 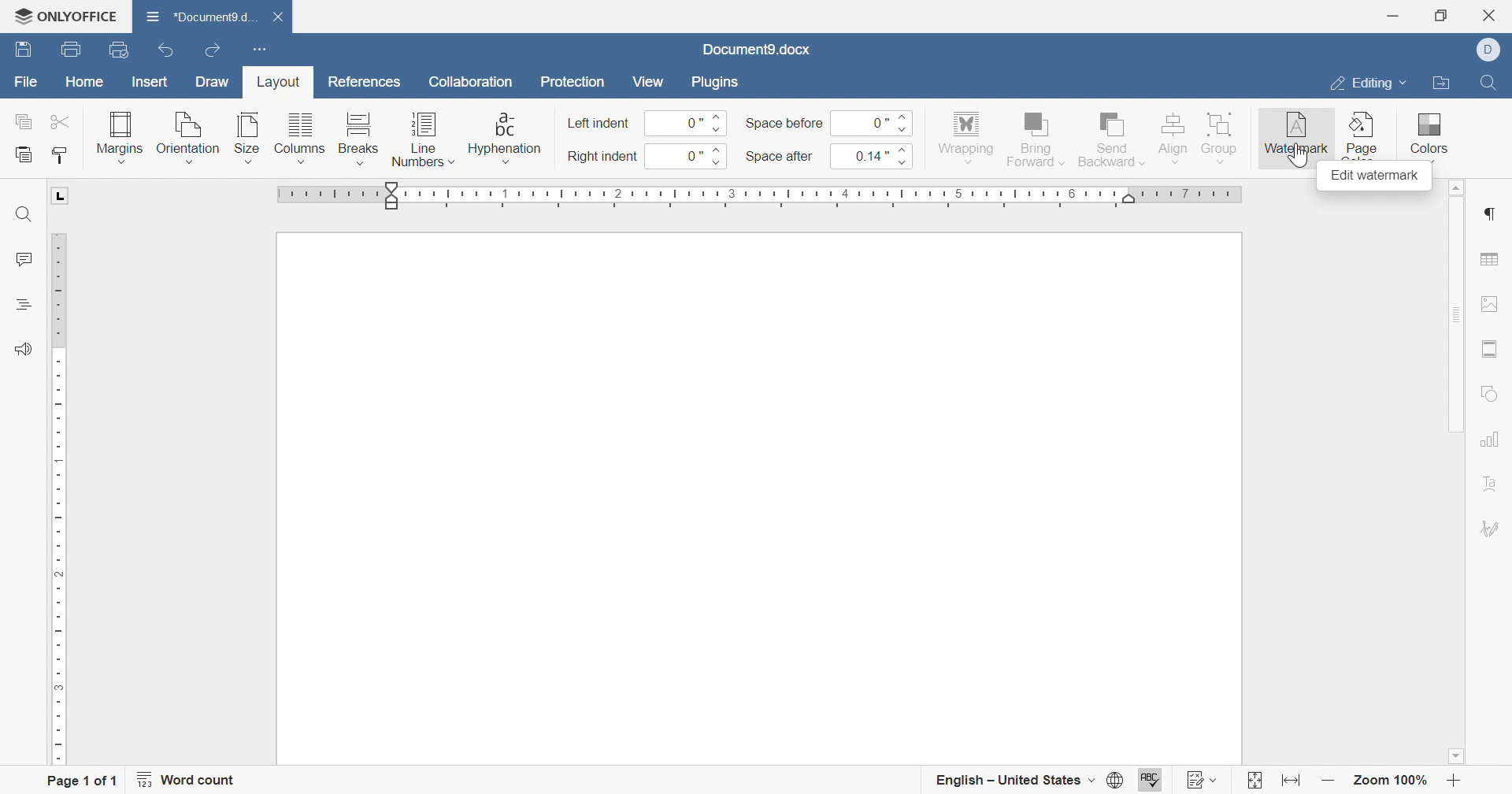 What do you see at coordinates (1121, 780) in the screenshot?
I see `set document language` at bounding box center [1121, 780].